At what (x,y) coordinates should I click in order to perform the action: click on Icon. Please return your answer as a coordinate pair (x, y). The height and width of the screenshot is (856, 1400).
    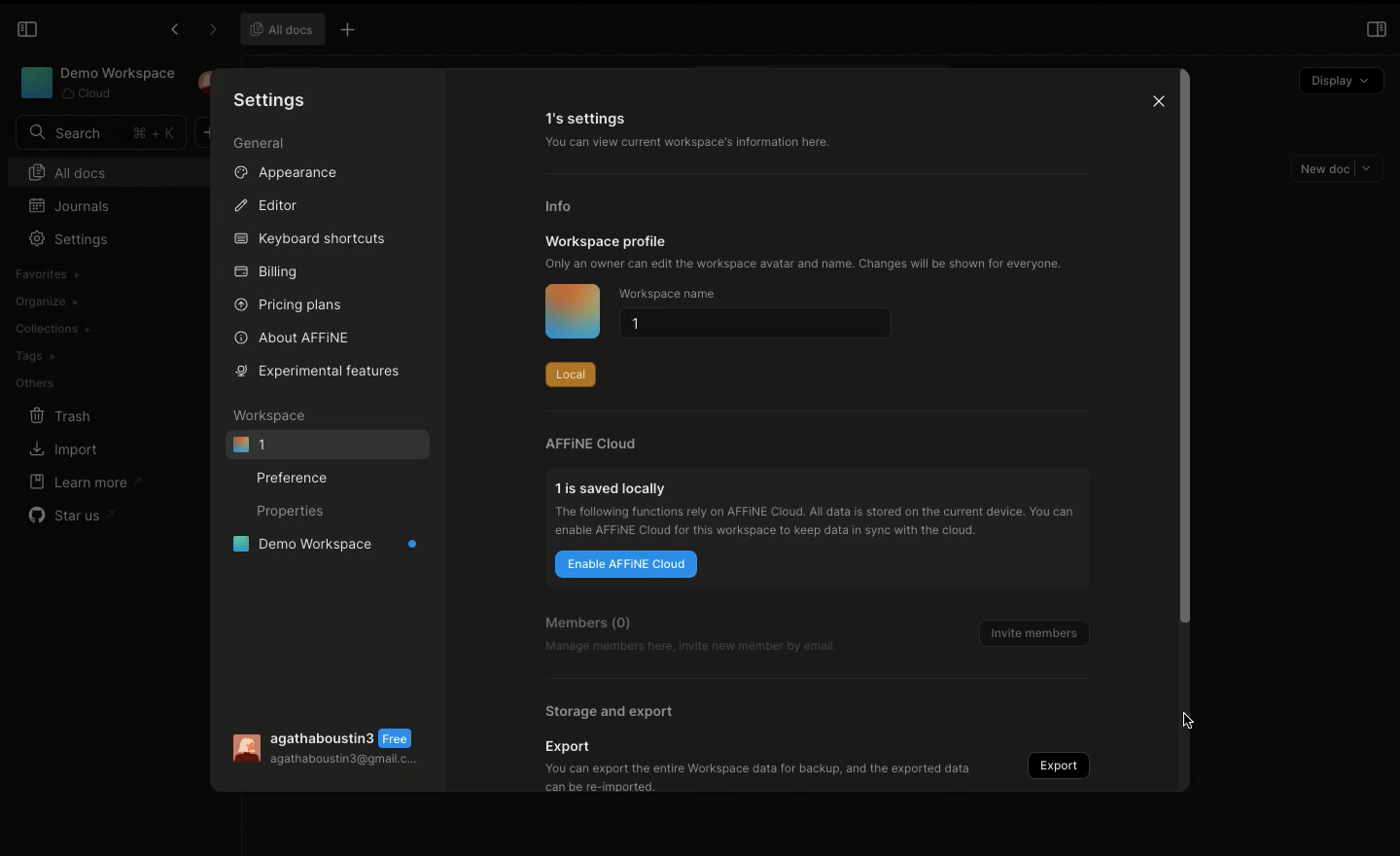
    Looking at the image, I should click on (574, 312).